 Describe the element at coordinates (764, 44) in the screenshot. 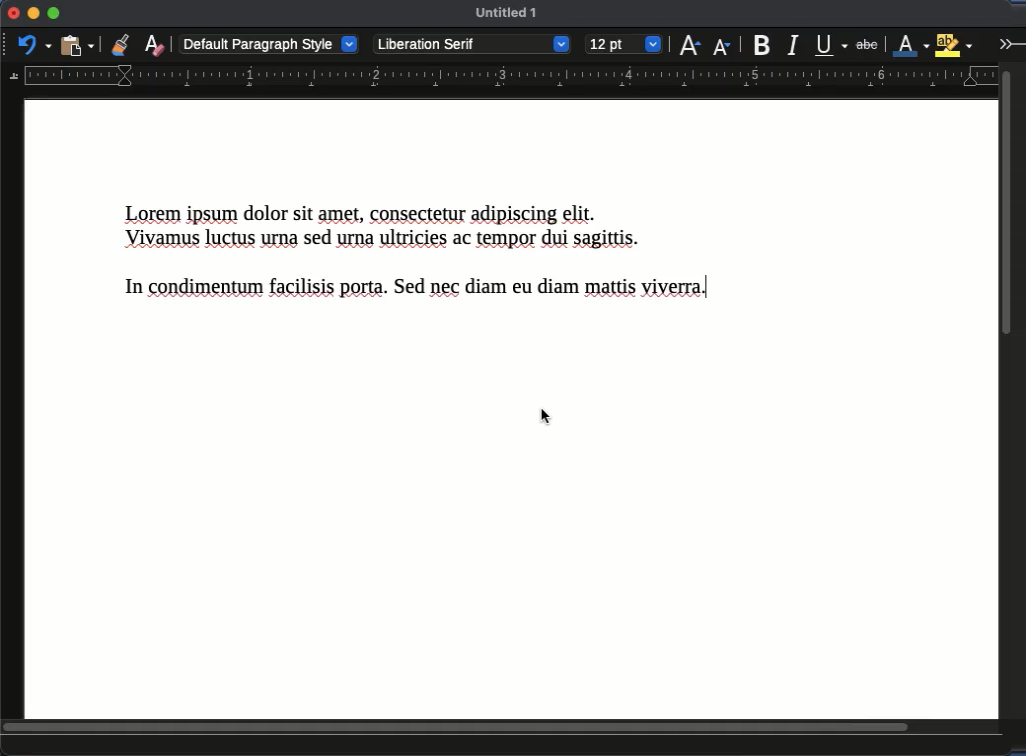

I see `bold` at that location.